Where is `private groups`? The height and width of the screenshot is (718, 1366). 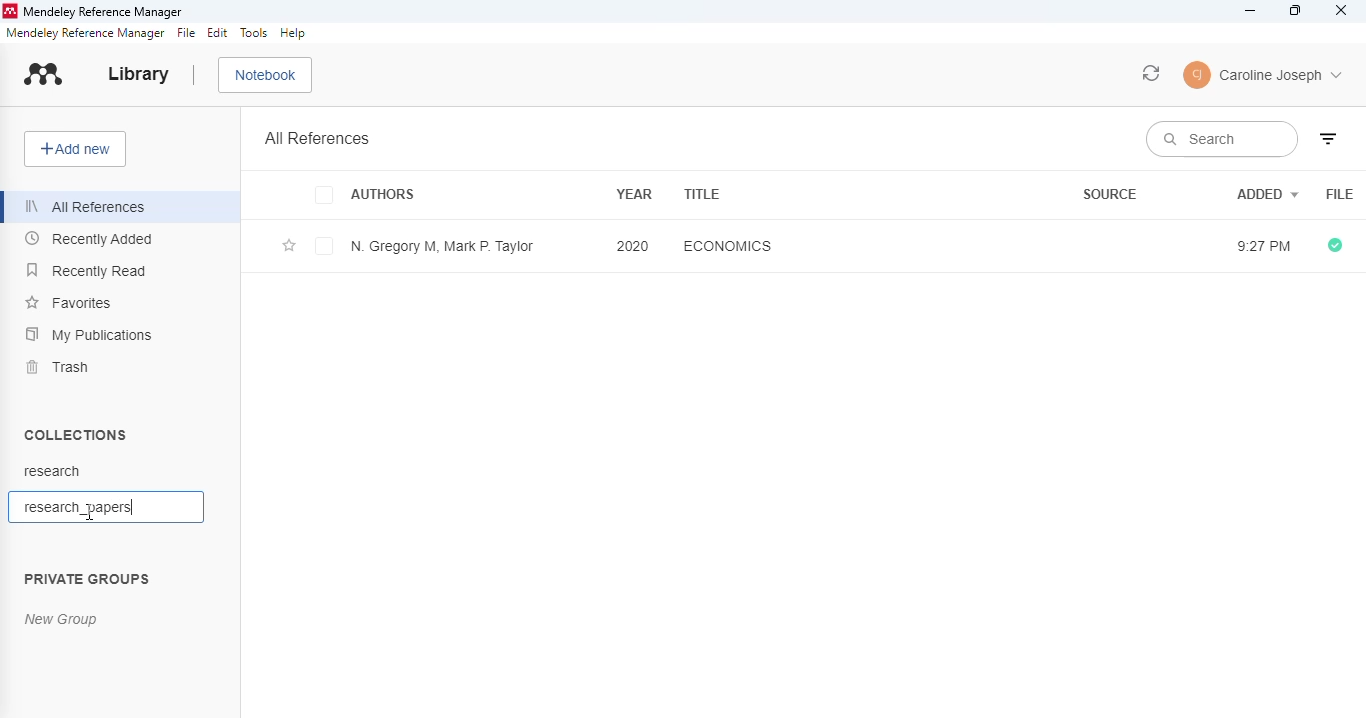 private groups is located at coordinates (87, 580).